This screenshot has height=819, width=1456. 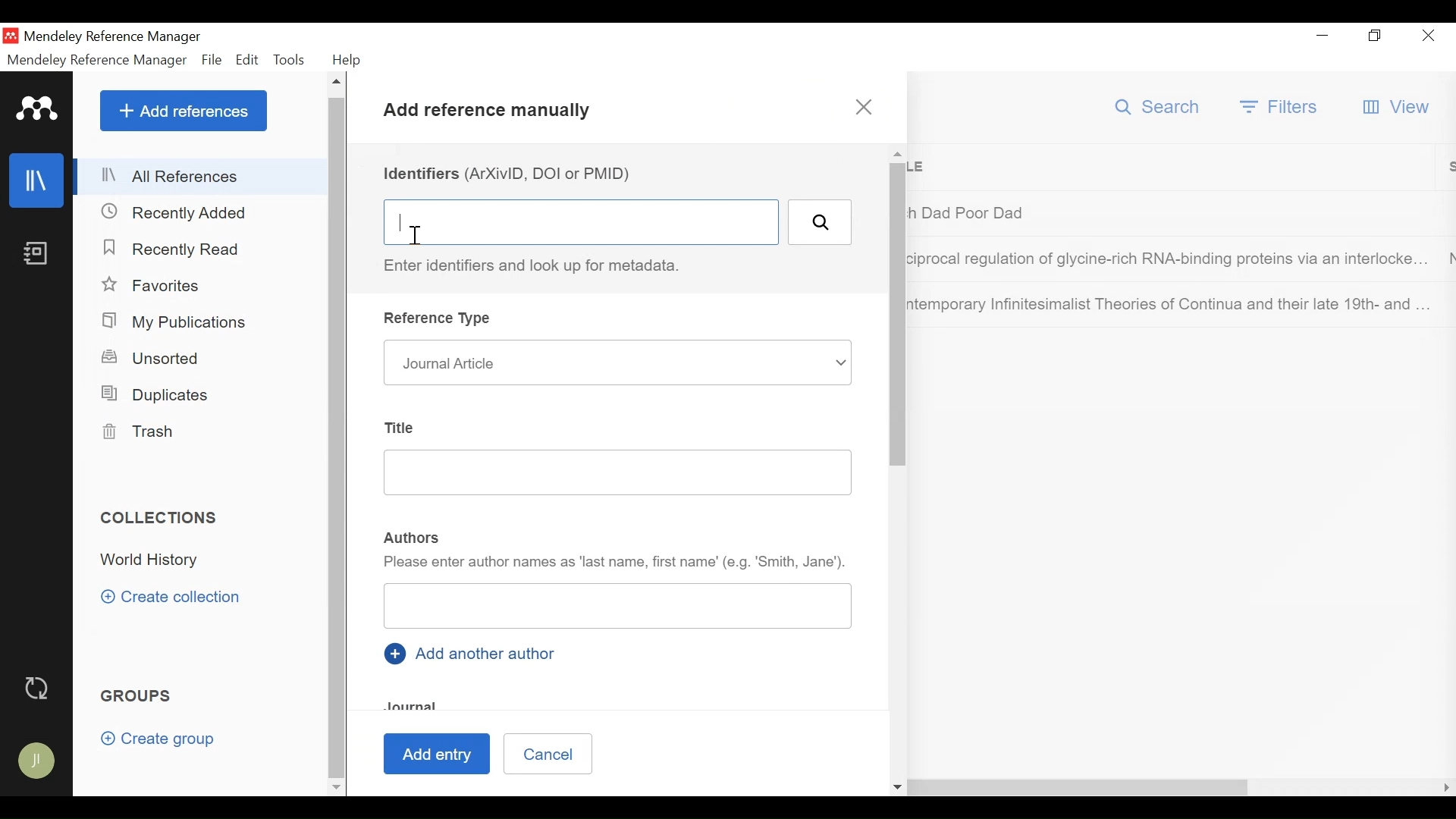 What do you see at coordinates (1172, 212) in the screenshot?
I see `Dad Poor Dad` at bounding box center [1172, 212].